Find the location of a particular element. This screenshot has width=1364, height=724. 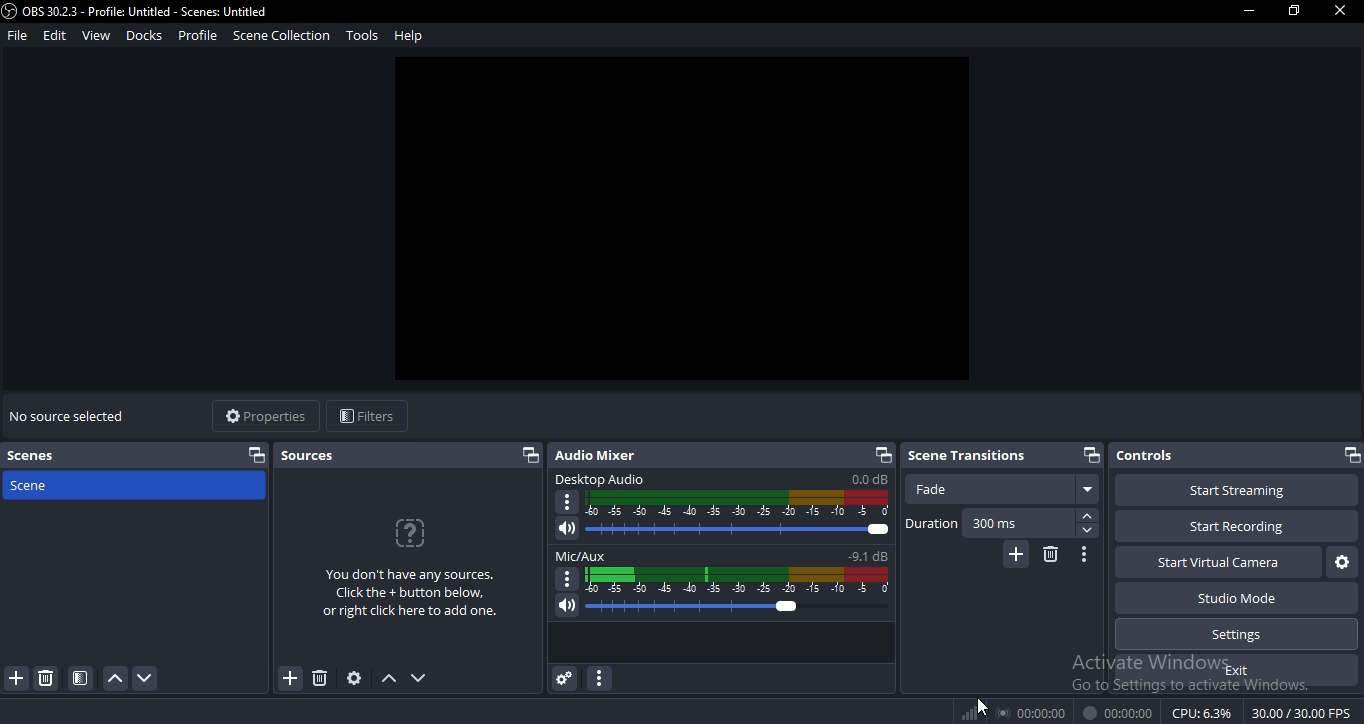

start recording is located at coordinates (1231, 524).